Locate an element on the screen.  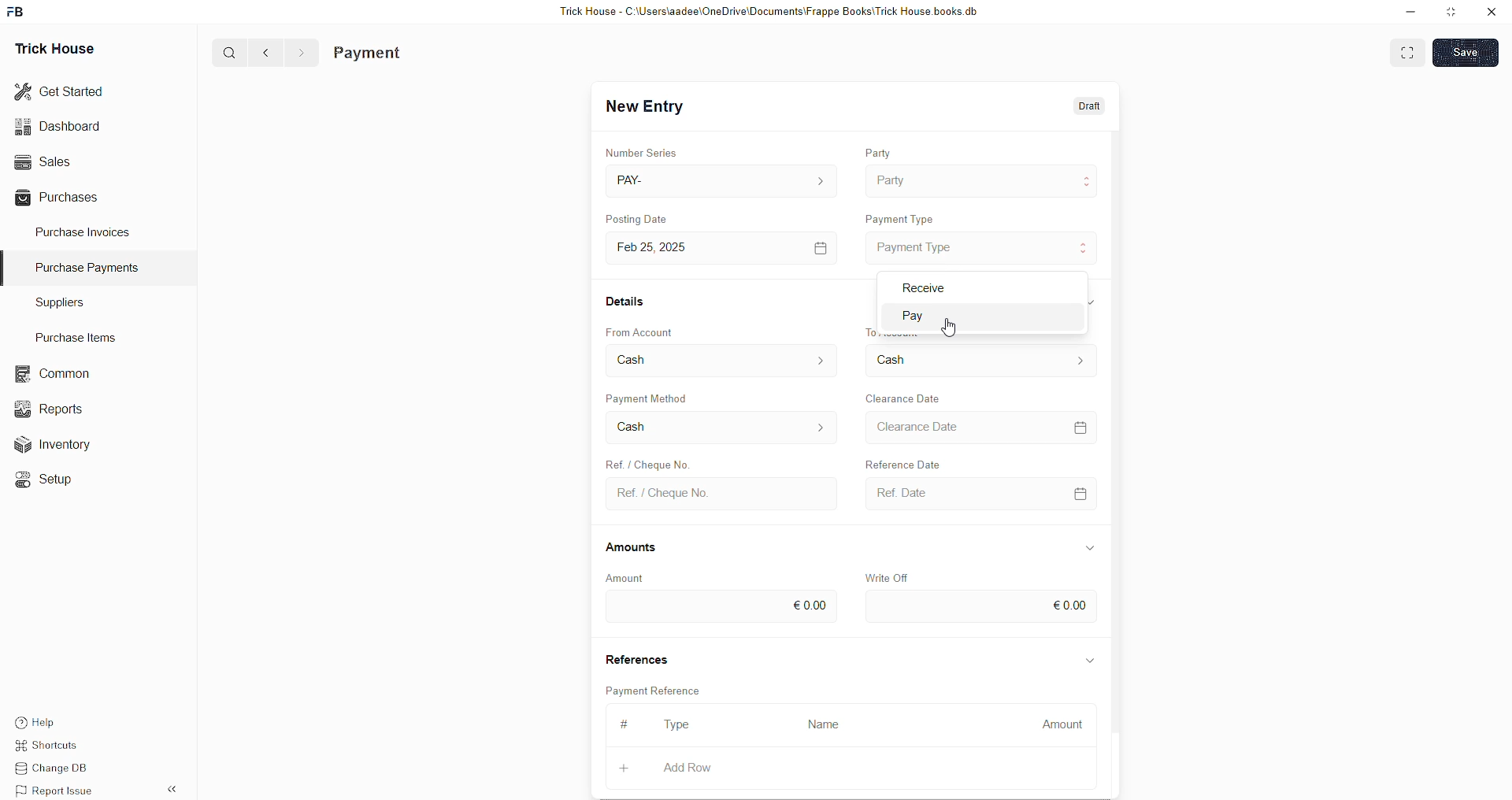
[=] is located at coordinates (821, 247).